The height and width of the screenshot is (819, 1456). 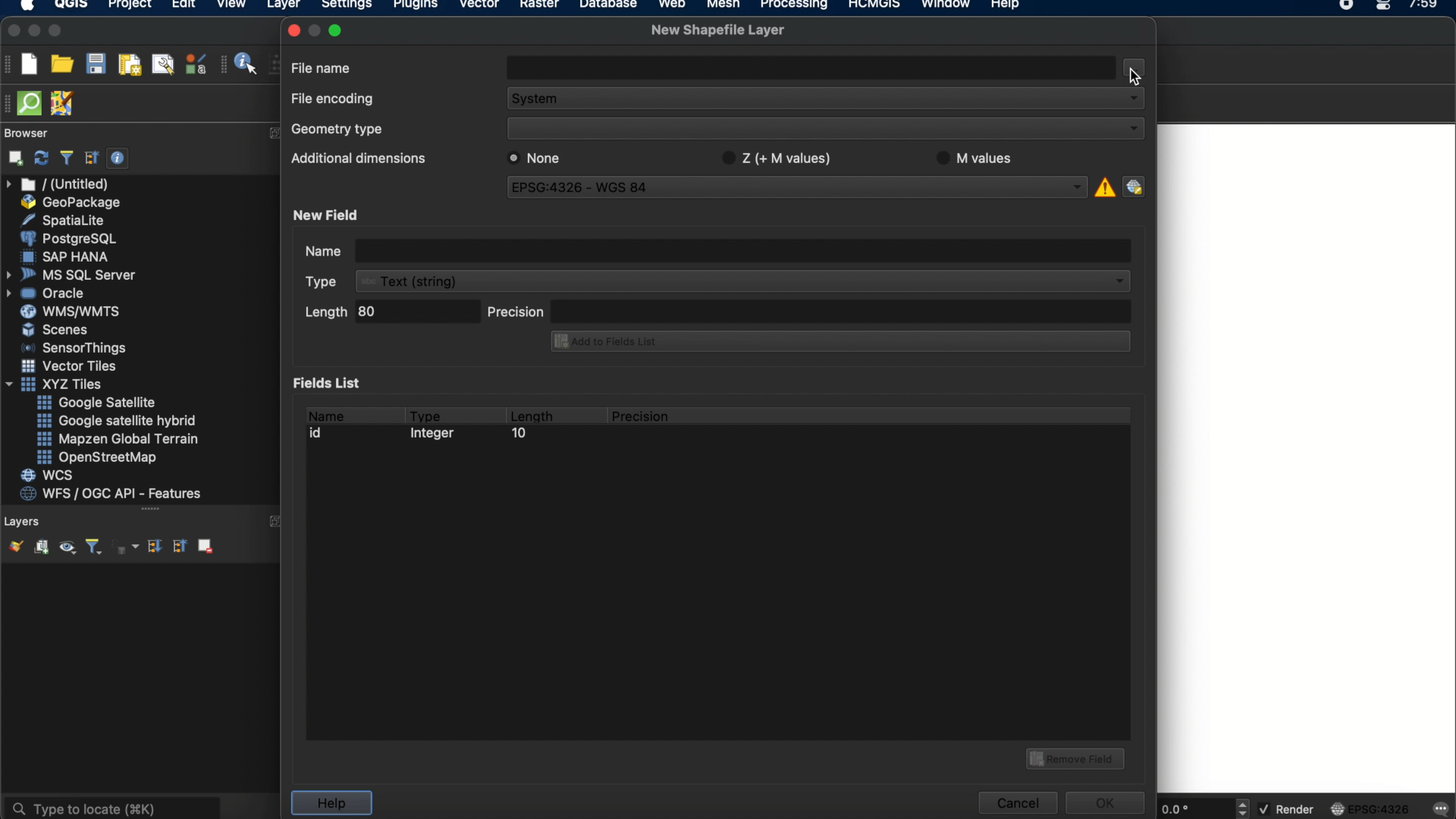 What do you see at coordinates (49, 476) in the screenshot?
I see `wcs` at bounding box center [49, 476].